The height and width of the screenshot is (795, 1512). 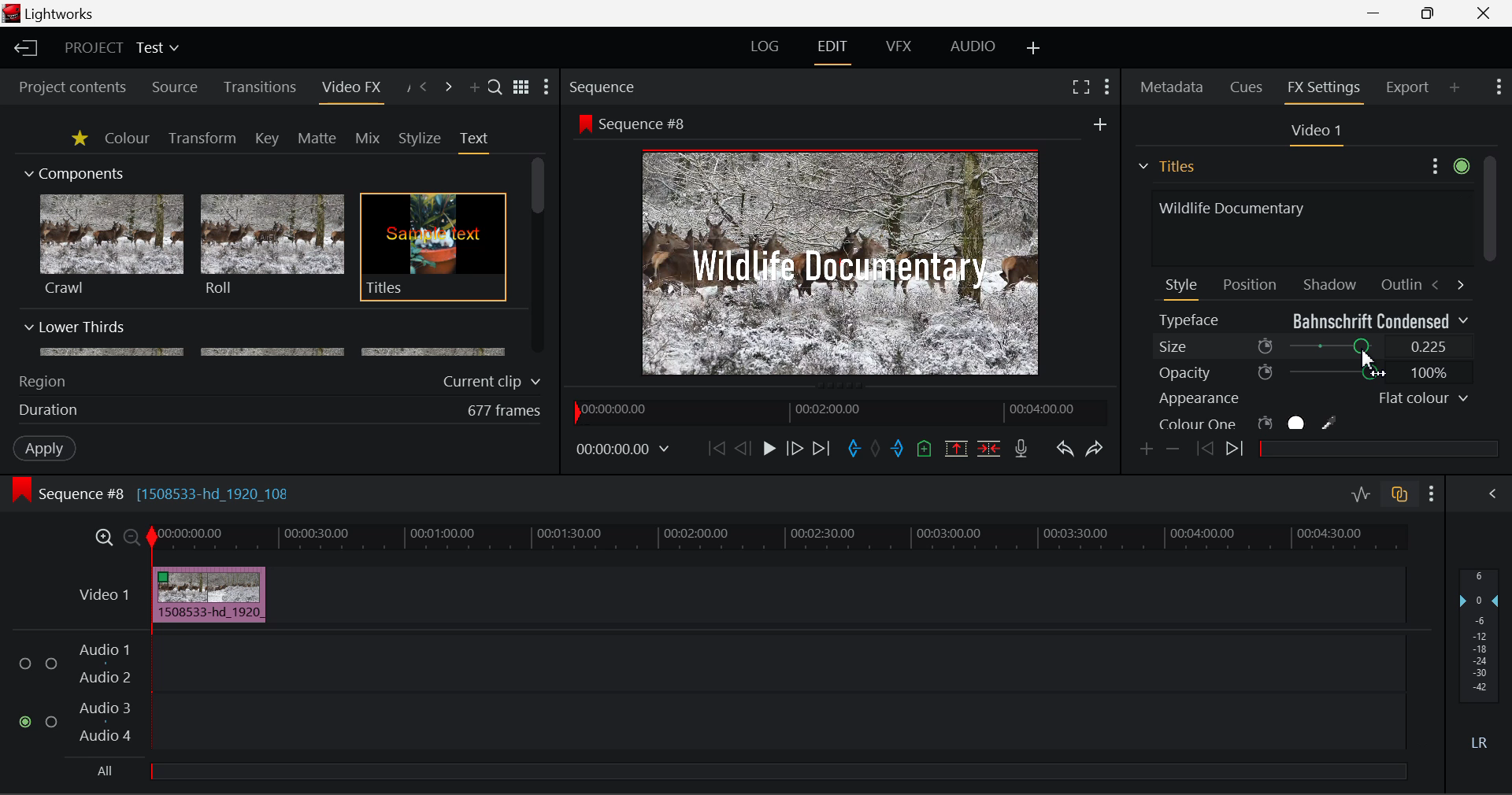 I want to click on Export, so click(x=1408, y=87).